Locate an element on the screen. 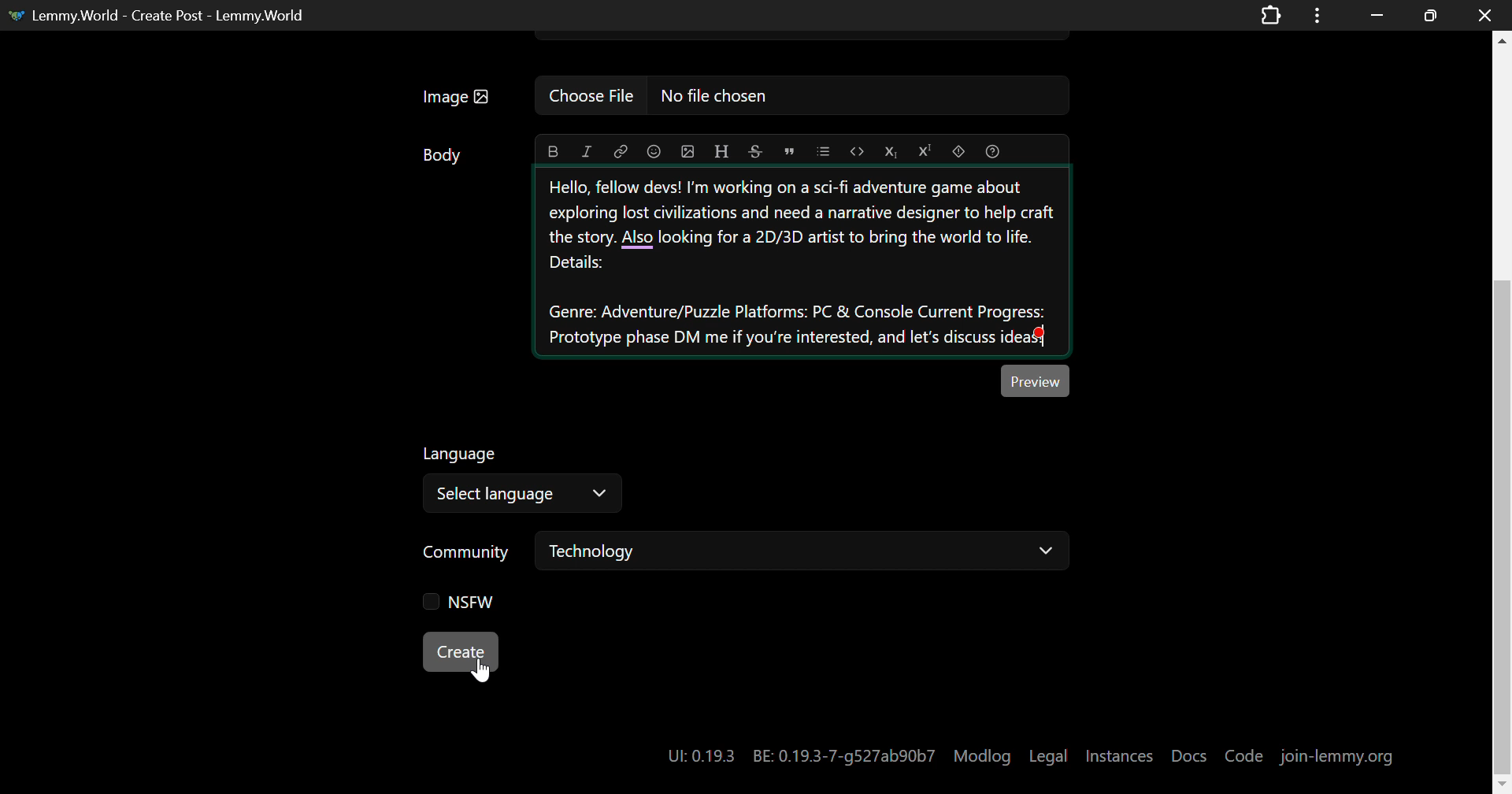 This screenshot has height=794, width=1512. subscript is located at coordinates (892, 149).